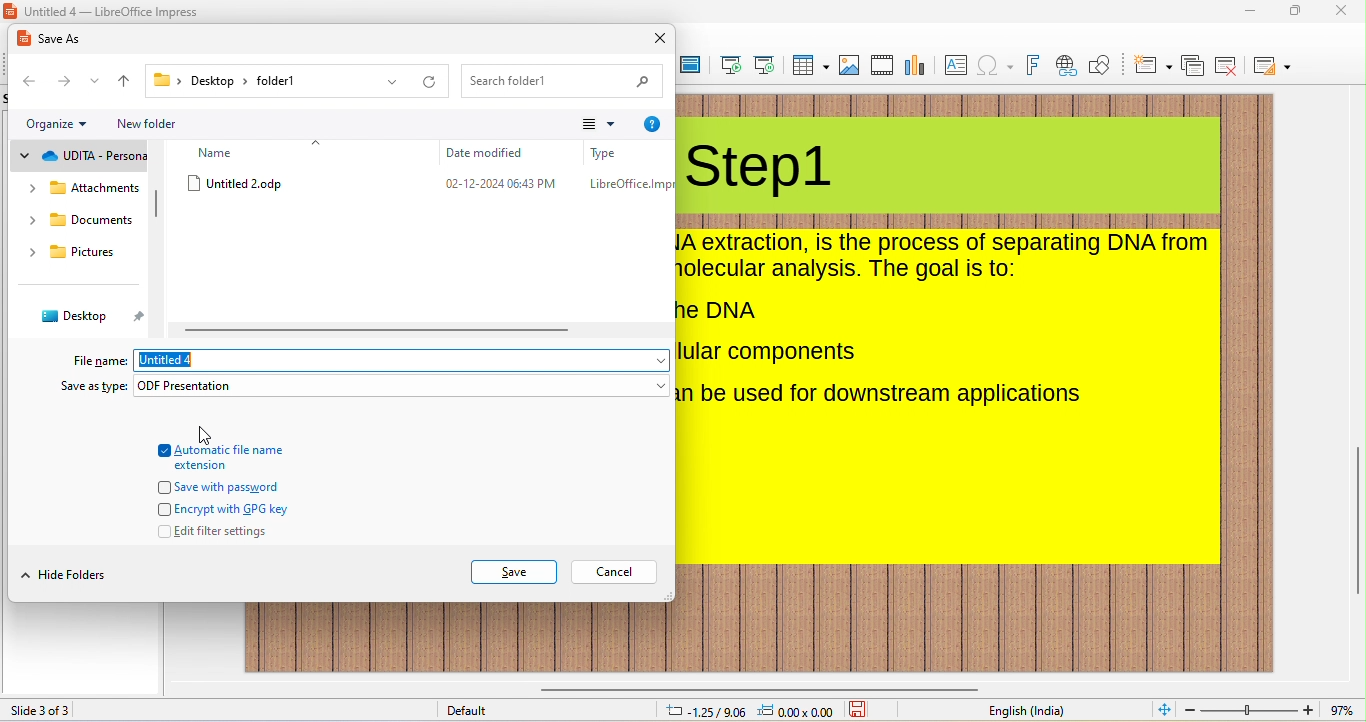  Describe the element at coordinates (24, 157) in the screenshot. I see `drop down` at that location.